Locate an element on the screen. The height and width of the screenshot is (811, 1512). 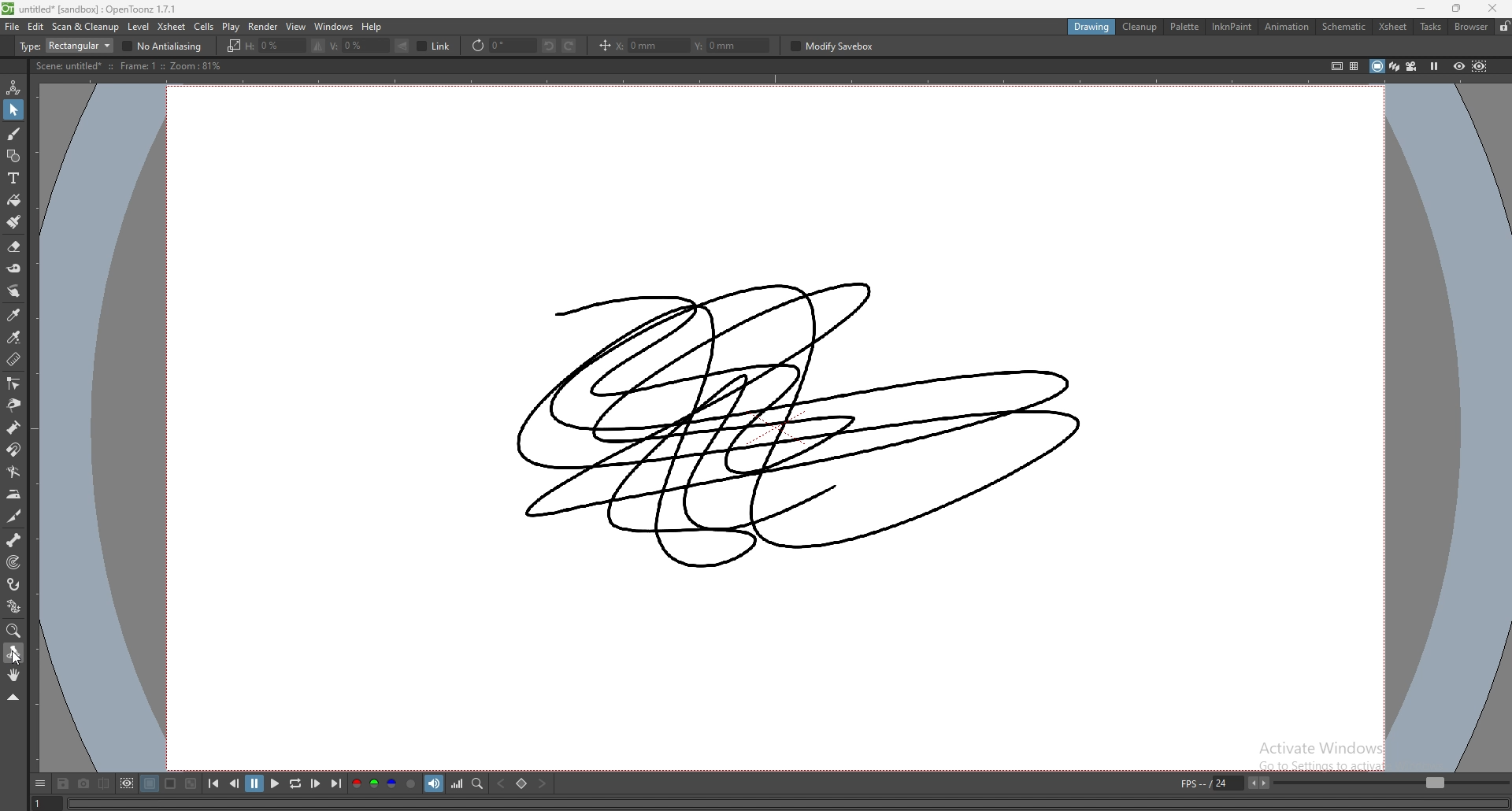
view is located at coordinates (296, 26).